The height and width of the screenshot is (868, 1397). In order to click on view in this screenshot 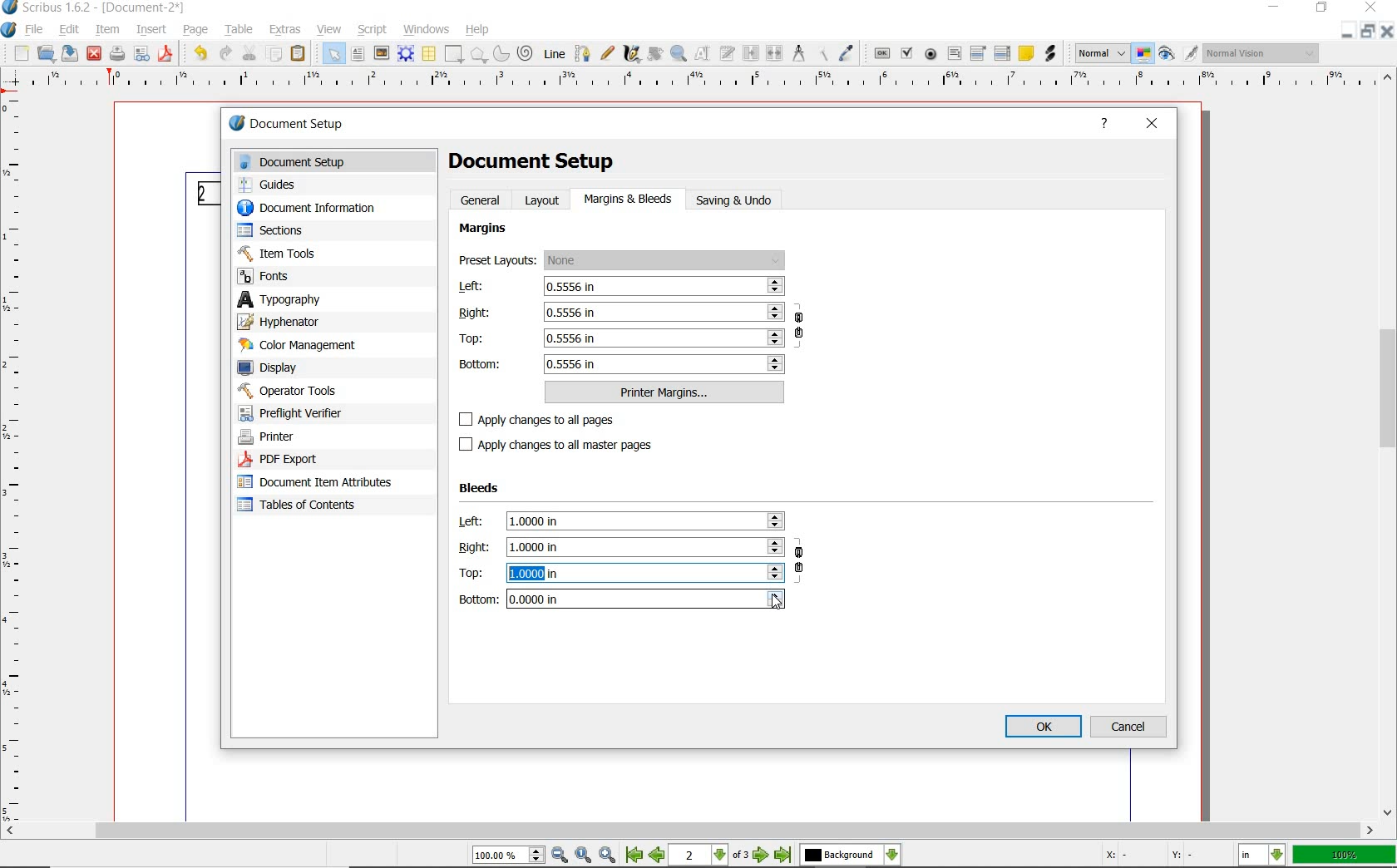, I will do `click(328, 29)`.